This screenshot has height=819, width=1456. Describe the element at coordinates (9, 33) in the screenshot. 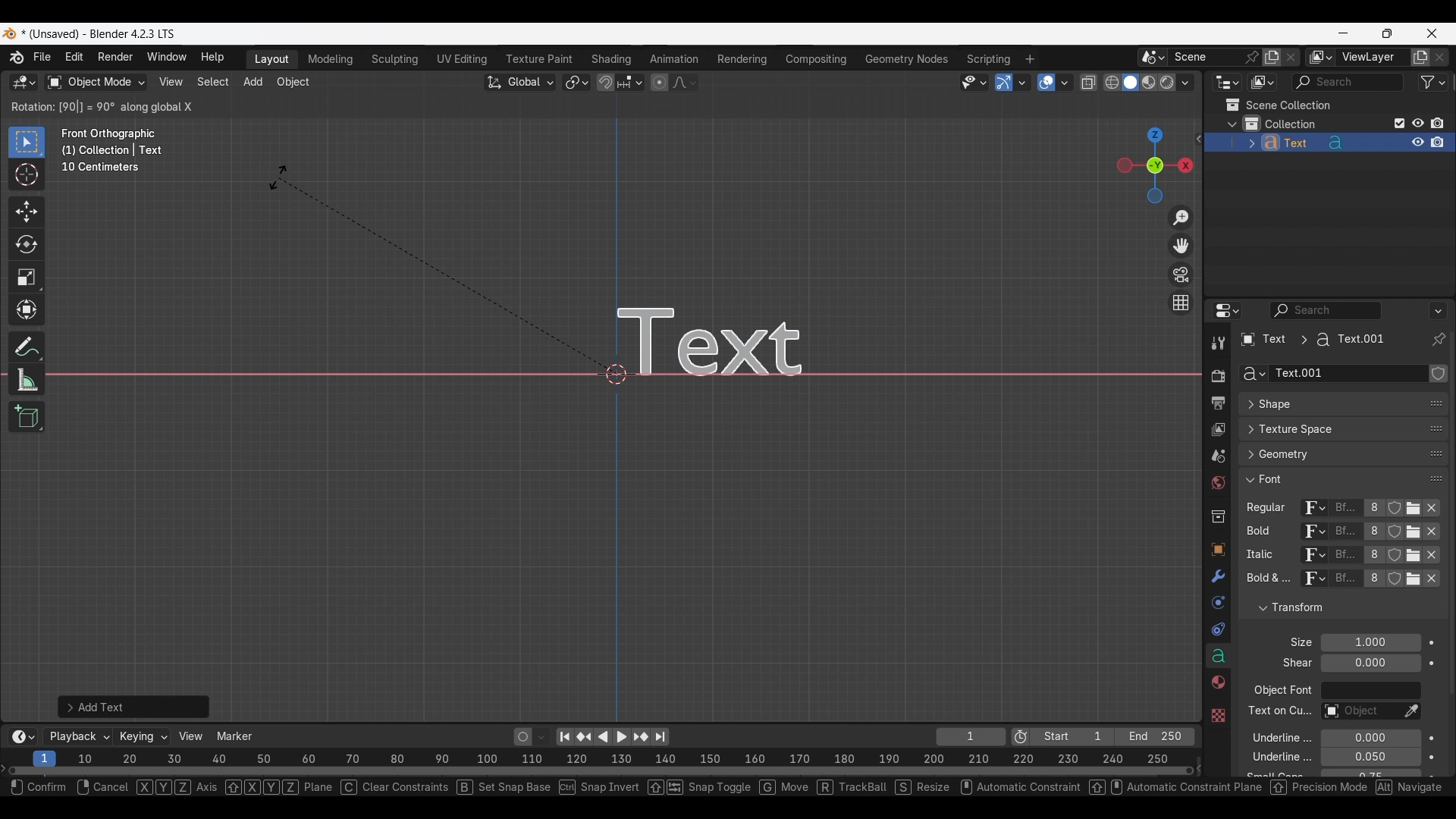

I see `Software logo` at that location.